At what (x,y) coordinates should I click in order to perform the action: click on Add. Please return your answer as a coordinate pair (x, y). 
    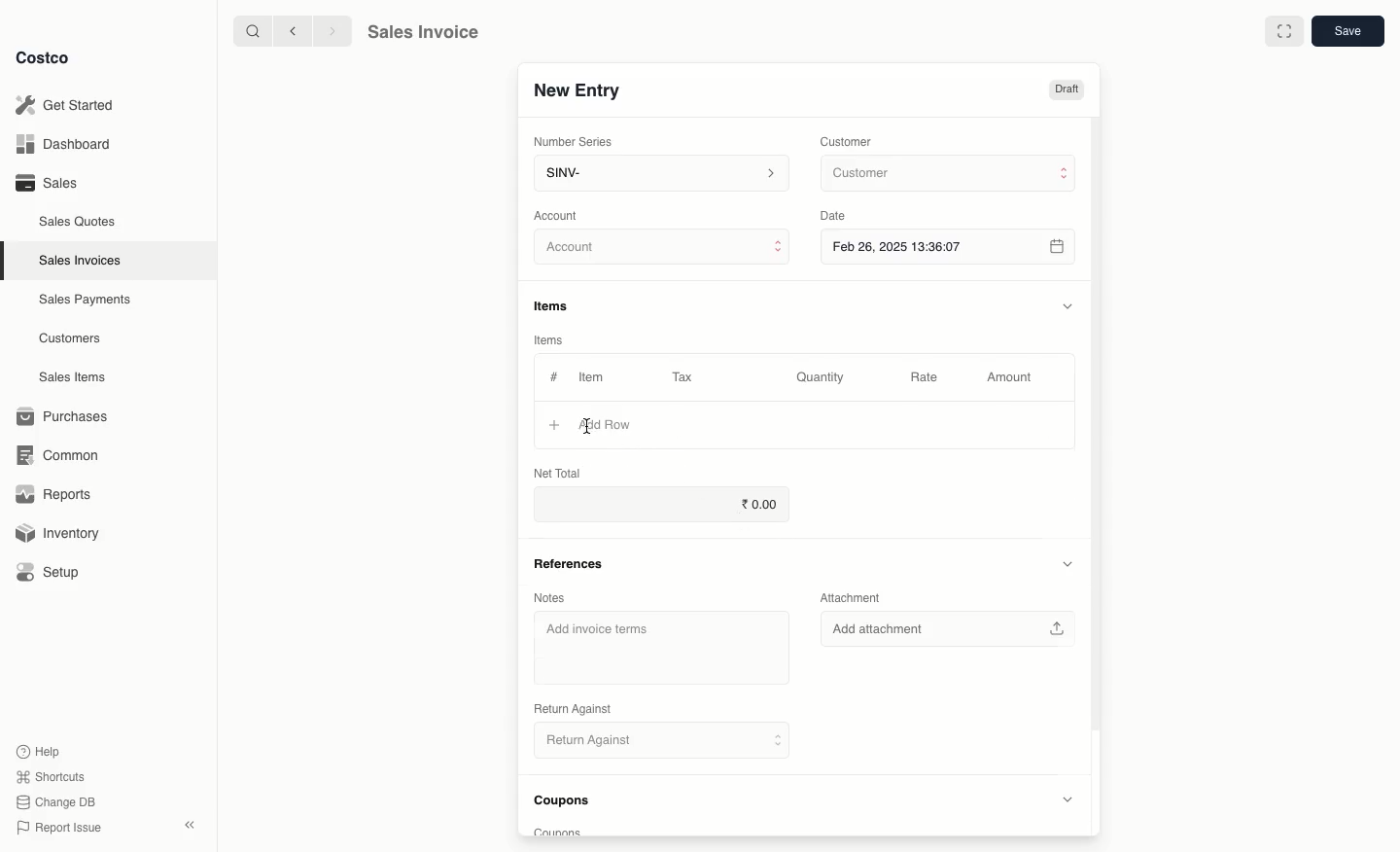
    Looking at the image, I should click on (552, 423).